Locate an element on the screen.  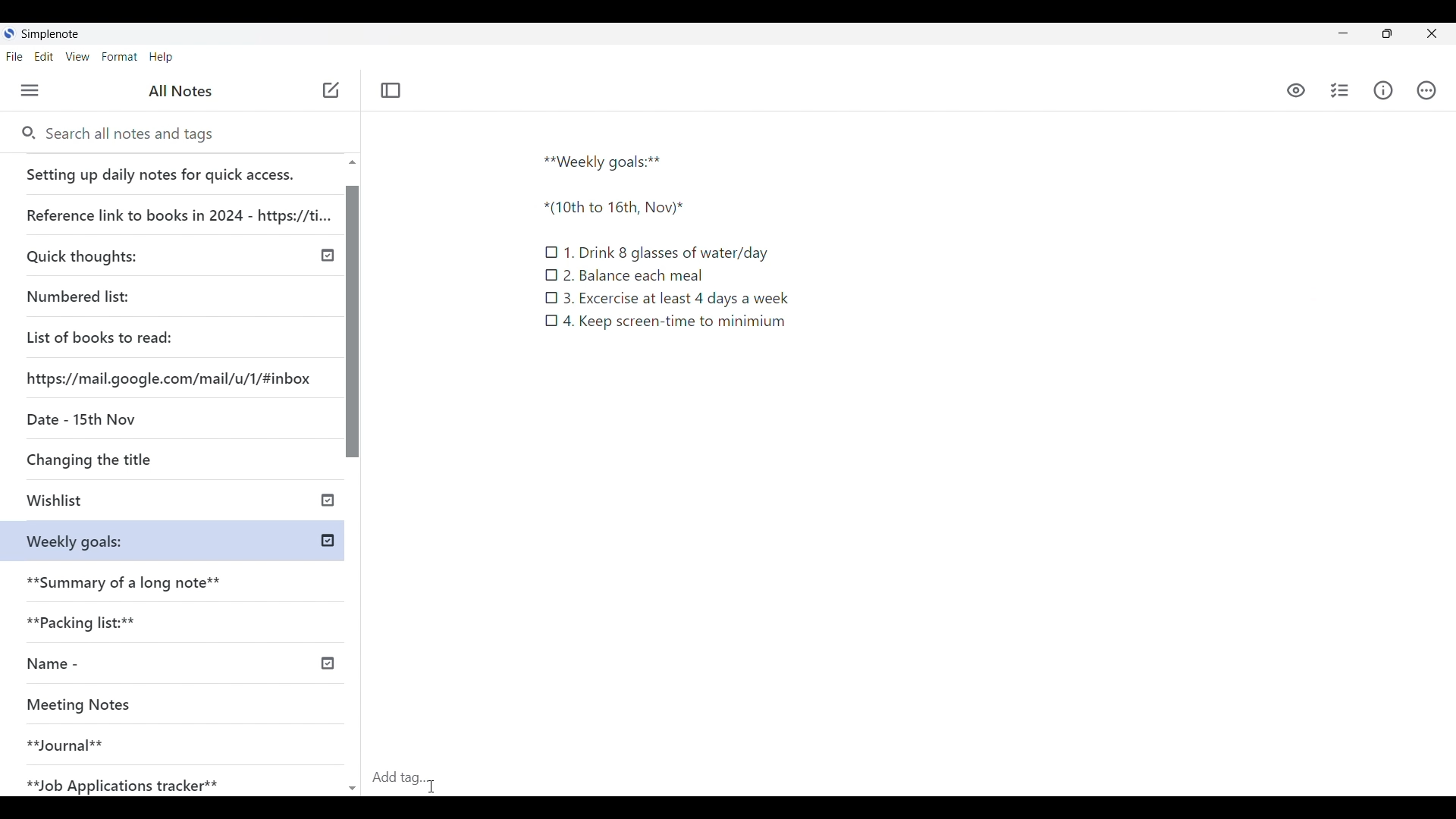
Setting up daily notes is located at coordinates (174, 170).